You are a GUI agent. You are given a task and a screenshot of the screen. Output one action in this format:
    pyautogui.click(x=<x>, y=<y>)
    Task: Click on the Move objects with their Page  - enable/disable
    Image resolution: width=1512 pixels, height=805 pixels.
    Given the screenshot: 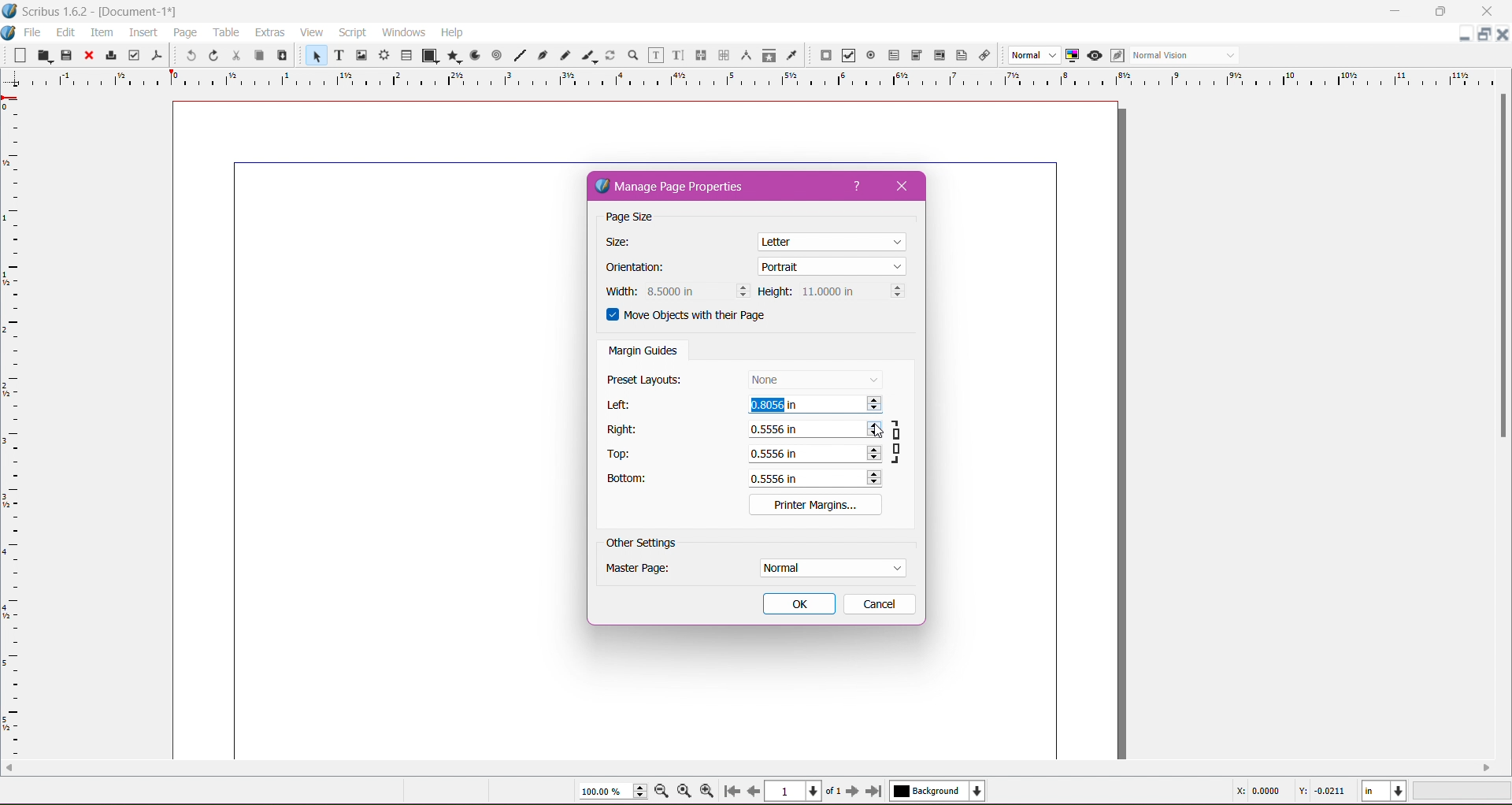 What is the action you would take?
    pyautogui.click(x=696, y=317)
    